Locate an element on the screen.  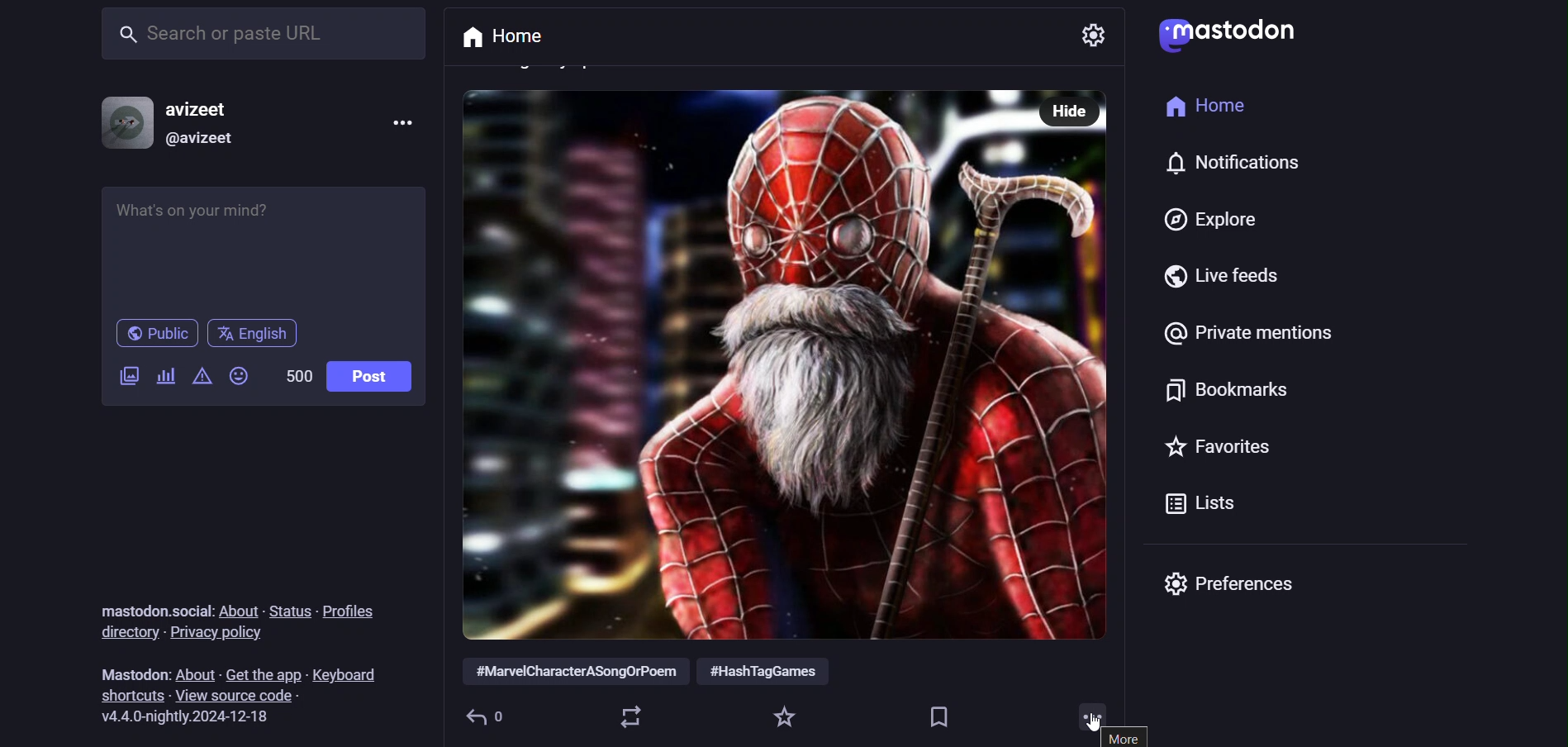
favorites is located at coordinates (1219, 448).